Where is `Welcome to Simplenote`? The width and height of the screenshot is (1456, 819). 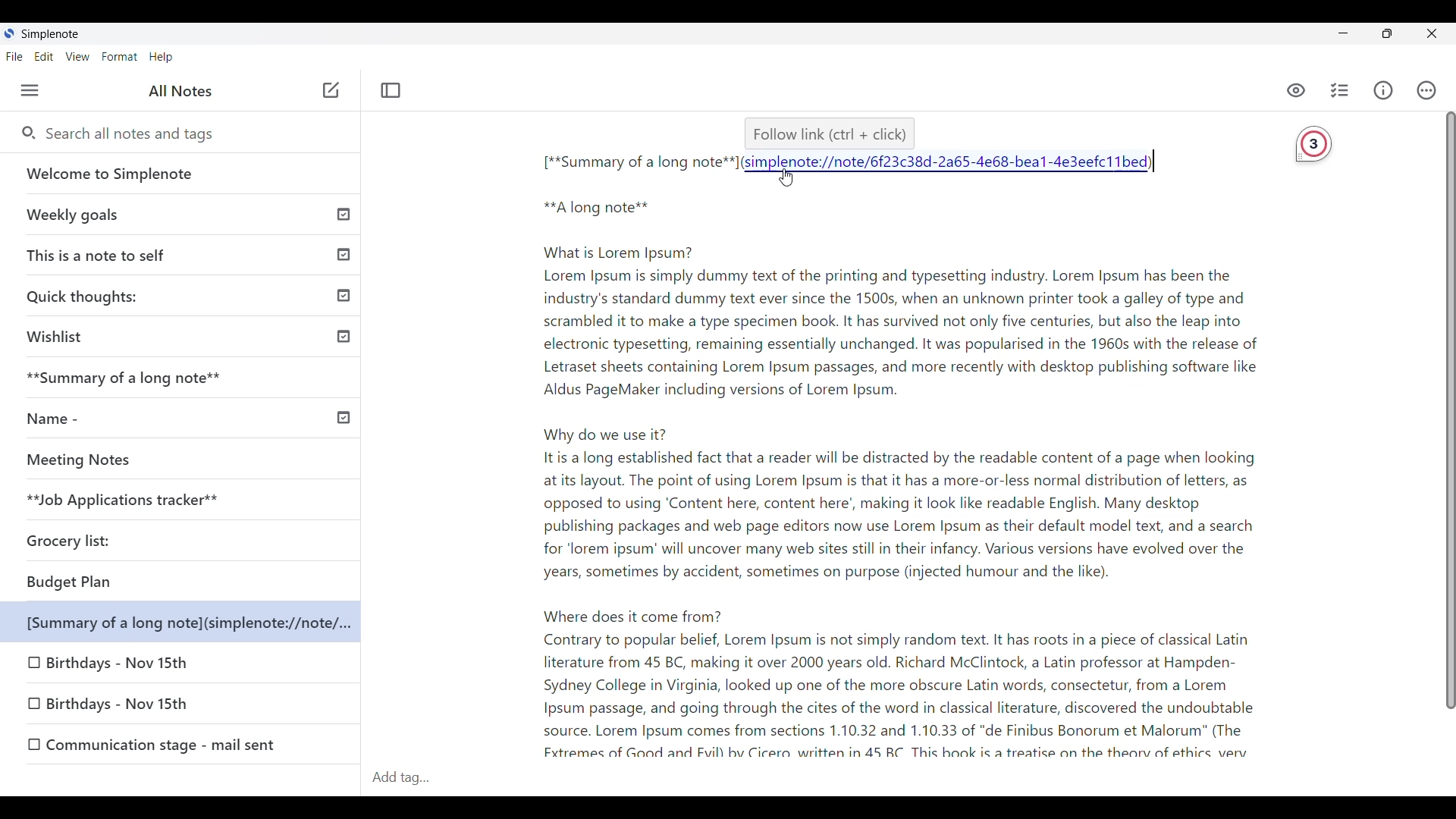
Welcome to Simplenote is located at coordinates (182, 174).